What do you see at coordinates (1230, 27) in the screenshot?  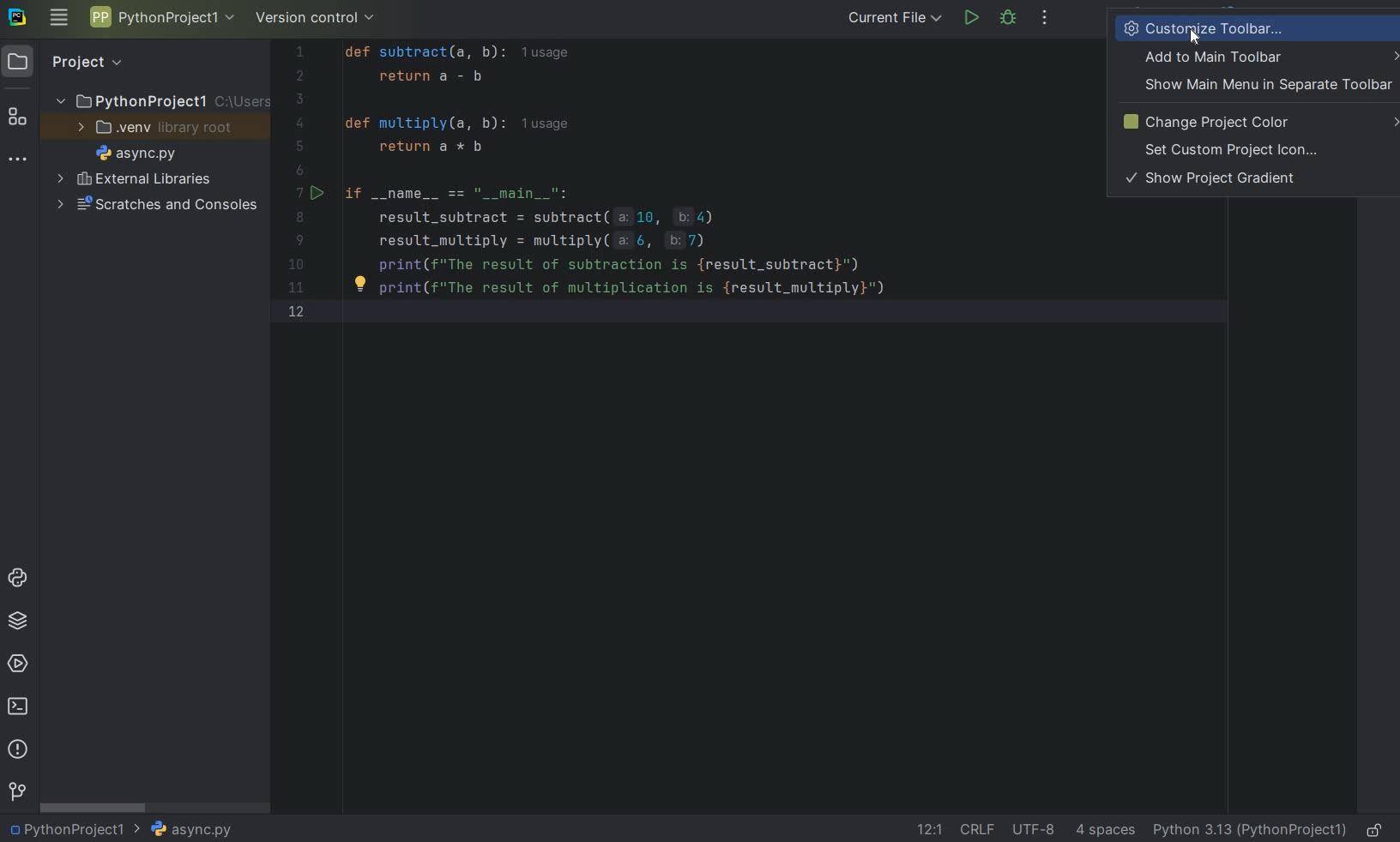 I see `CUSTOMIZE TOOLBAR` at bounding box center [1230, 27].